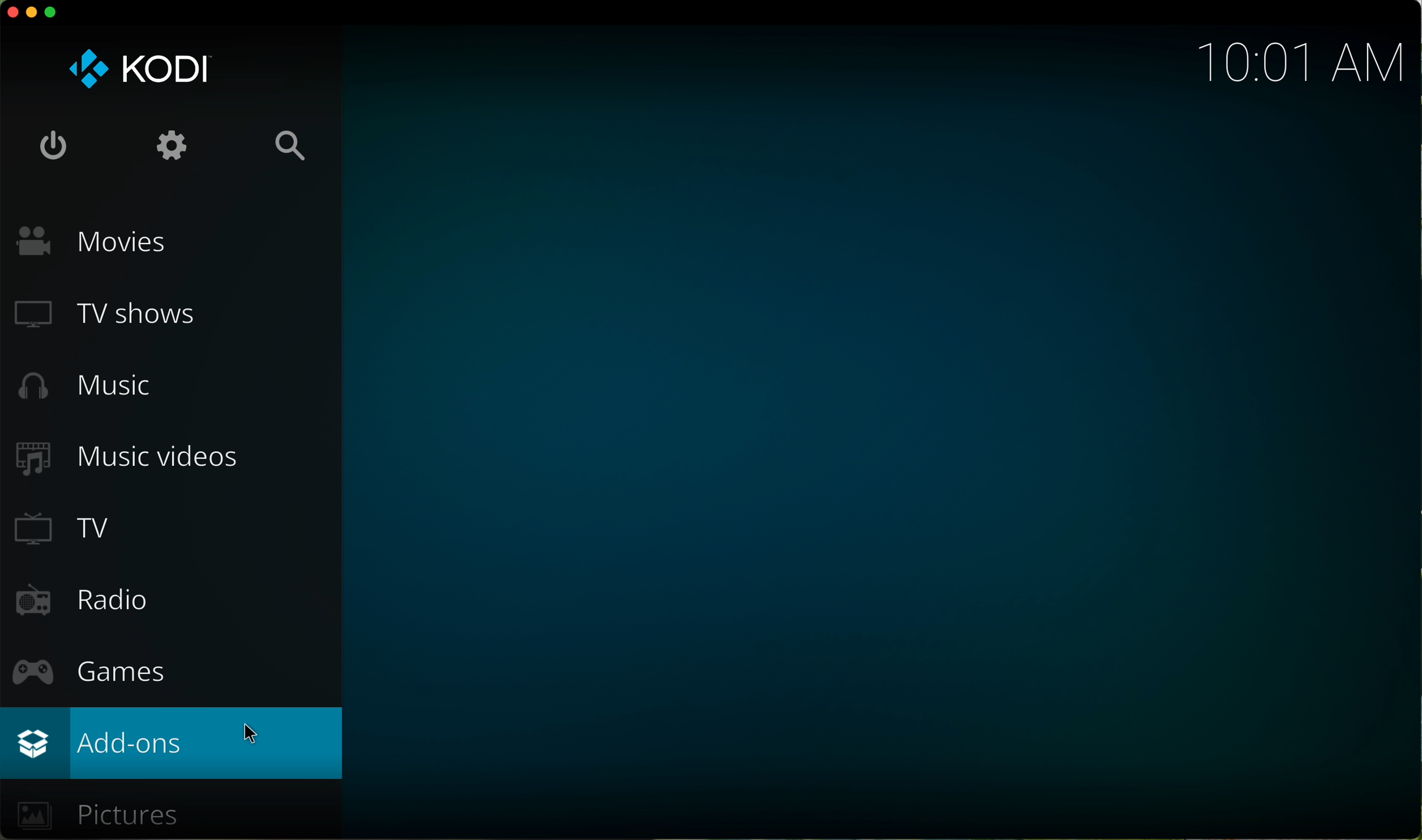 The width and height of the screenshot is (1422, 840). I want to click on KODI logo, so click(139, 68).